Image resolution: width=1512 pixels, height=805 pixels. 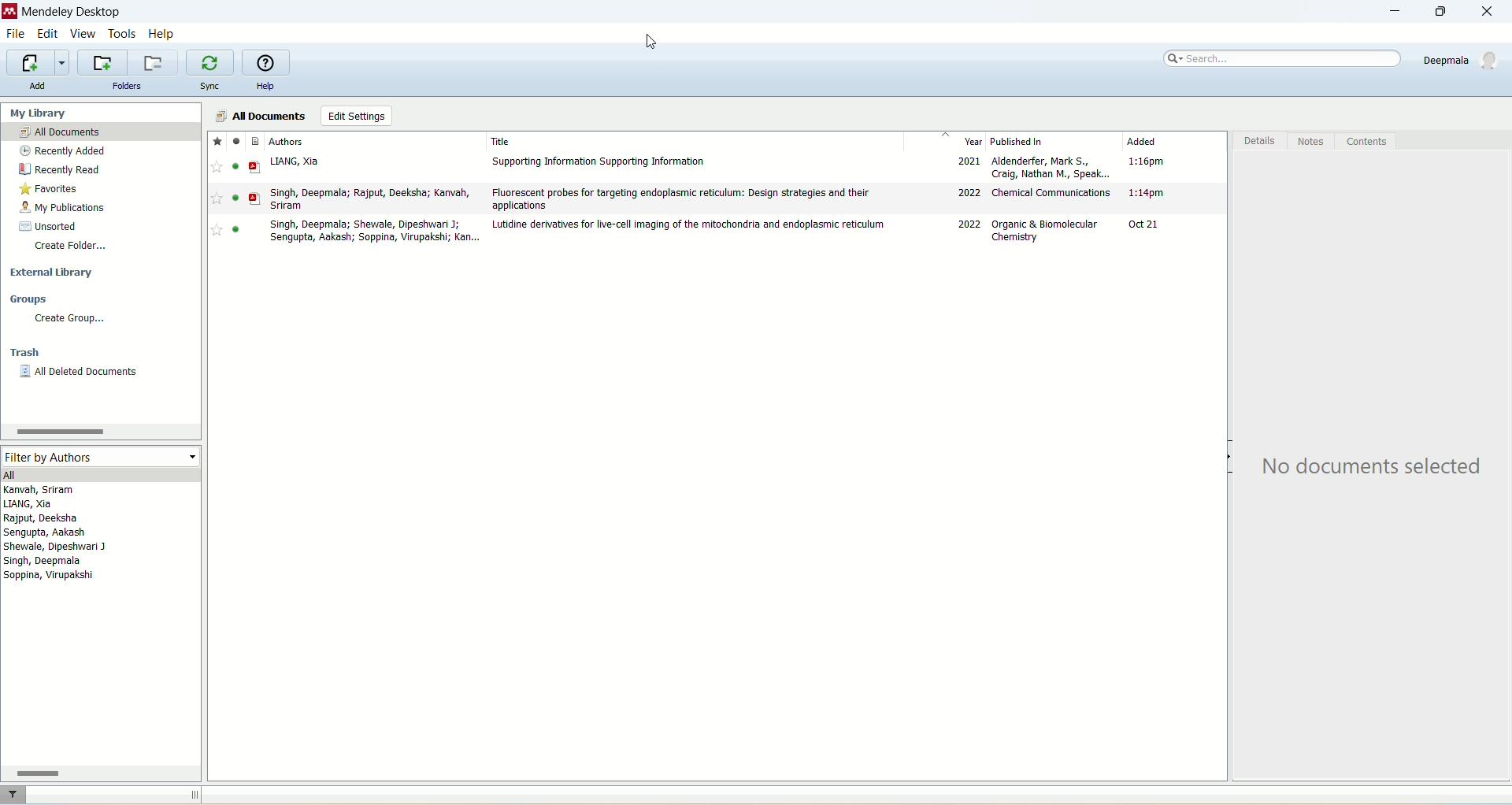 What do you see at coordinates (1051, 228) in the screenshot?
I see `Organic & Biomolecular Chemistry` at bounding box center [1051, 228].